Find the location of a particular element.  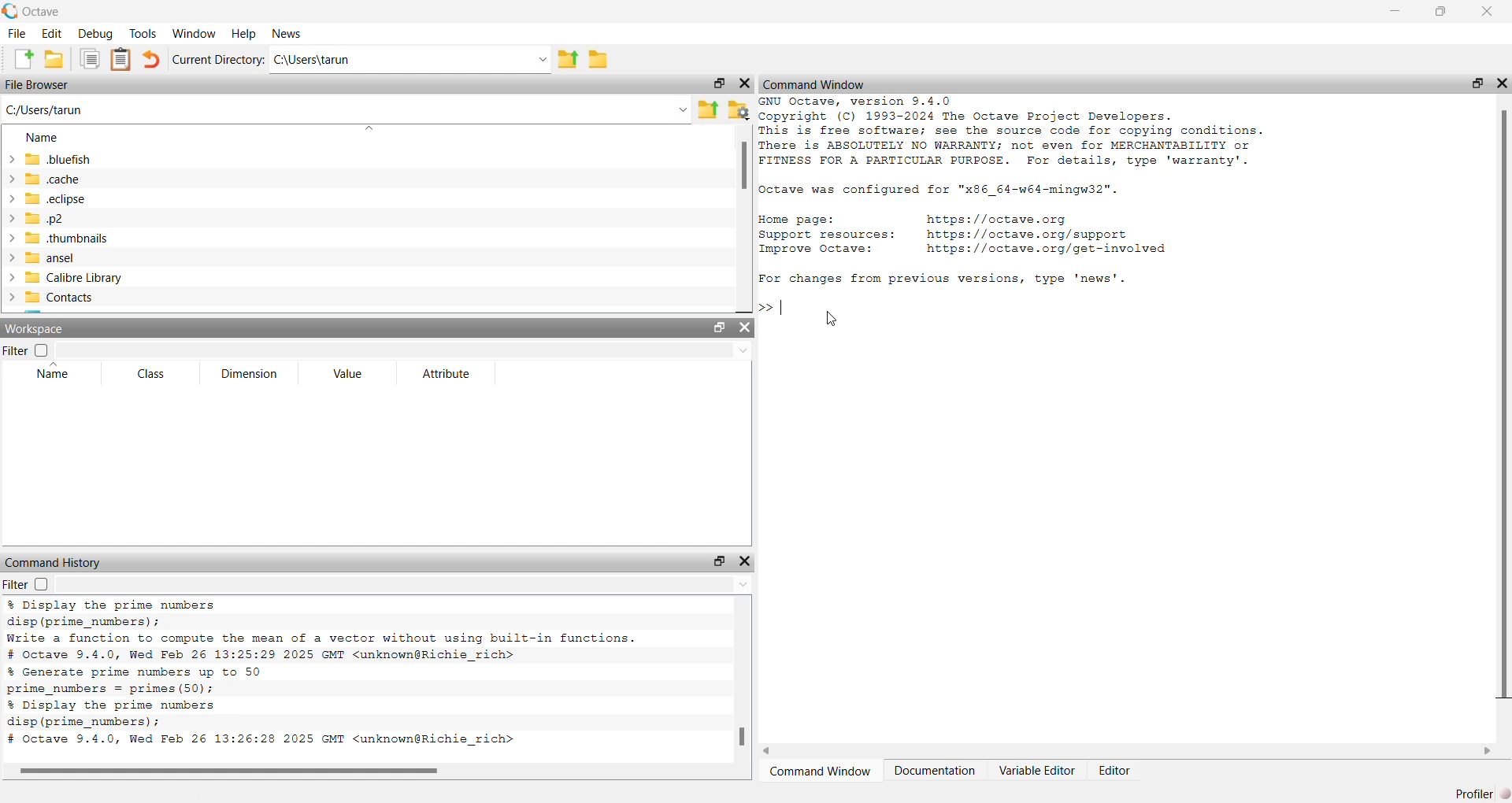

.thumbnails is located at coordinates (68, 238).